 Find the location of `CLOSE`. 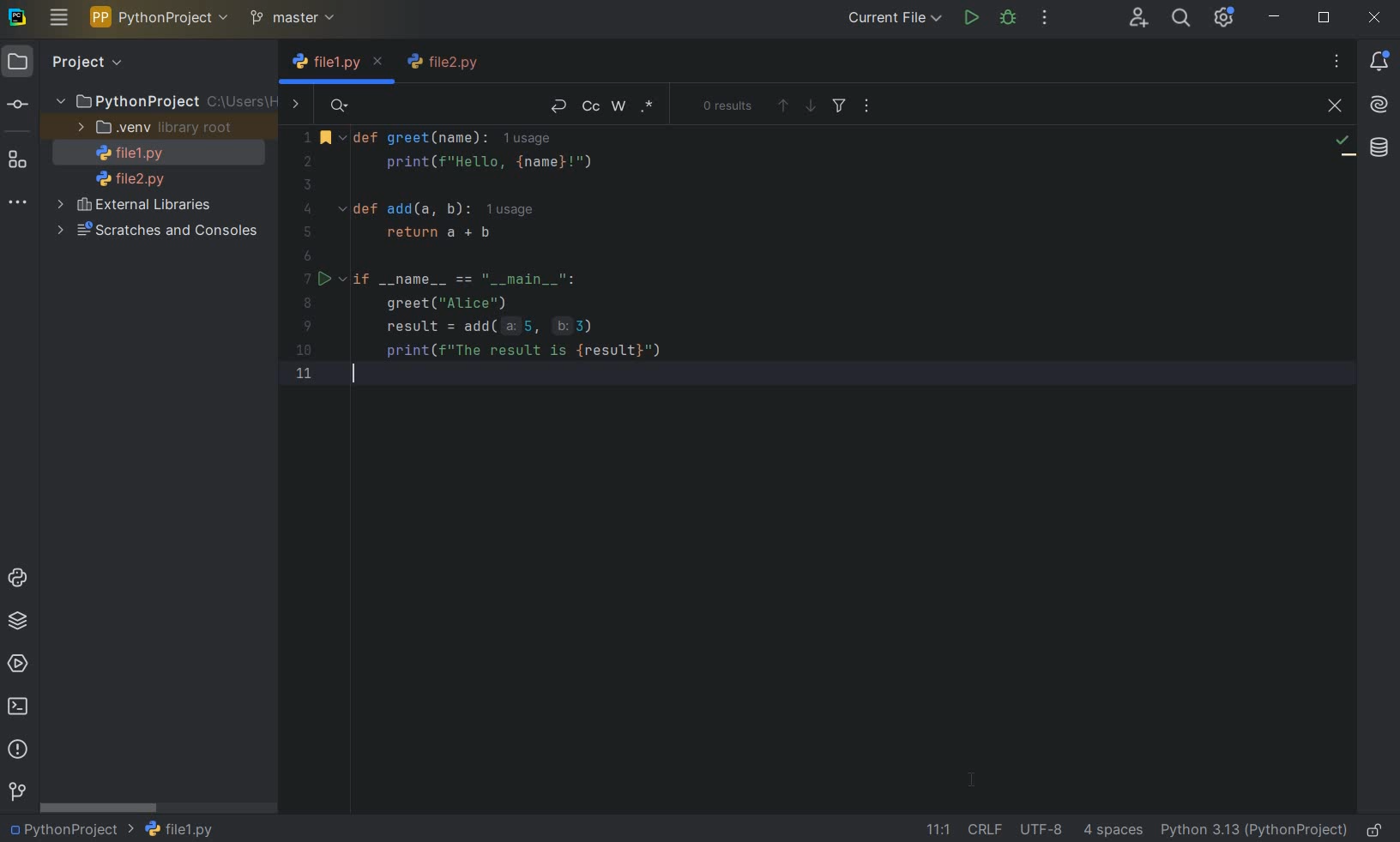

CLOSE is located at coordinates (1378, 16).